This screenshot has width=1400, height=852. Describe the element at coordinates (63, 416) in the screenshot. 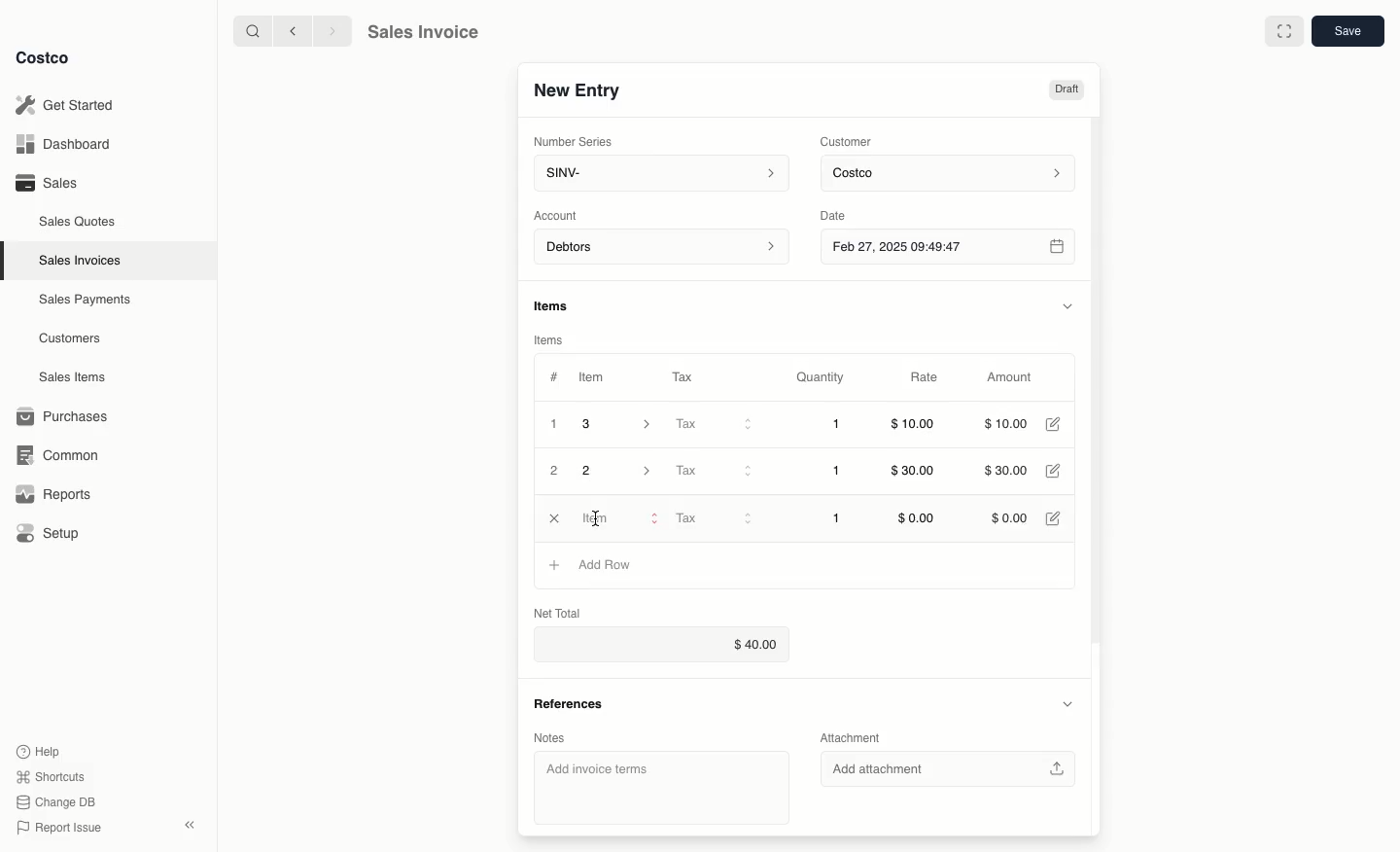

I see `Purchases` at that location.